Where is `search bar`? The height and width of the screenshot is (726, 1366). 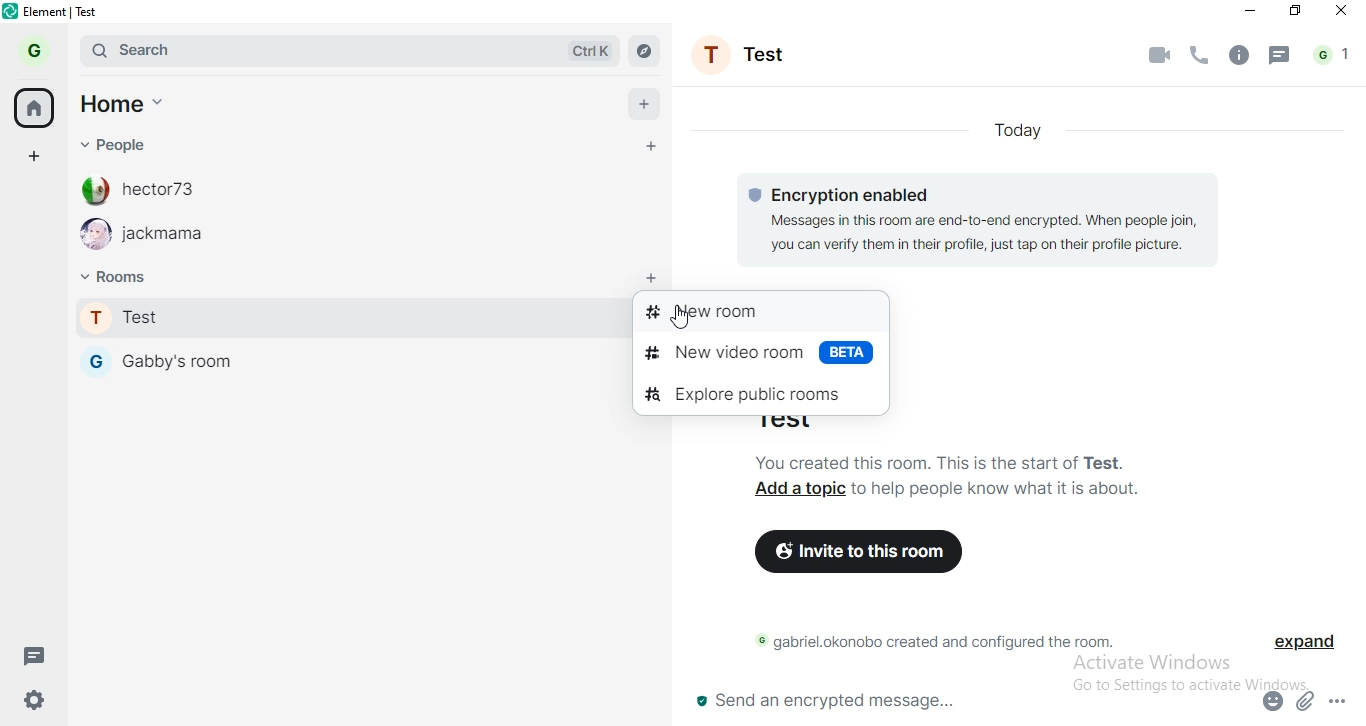
search bar is located at coordinates (347, 51).